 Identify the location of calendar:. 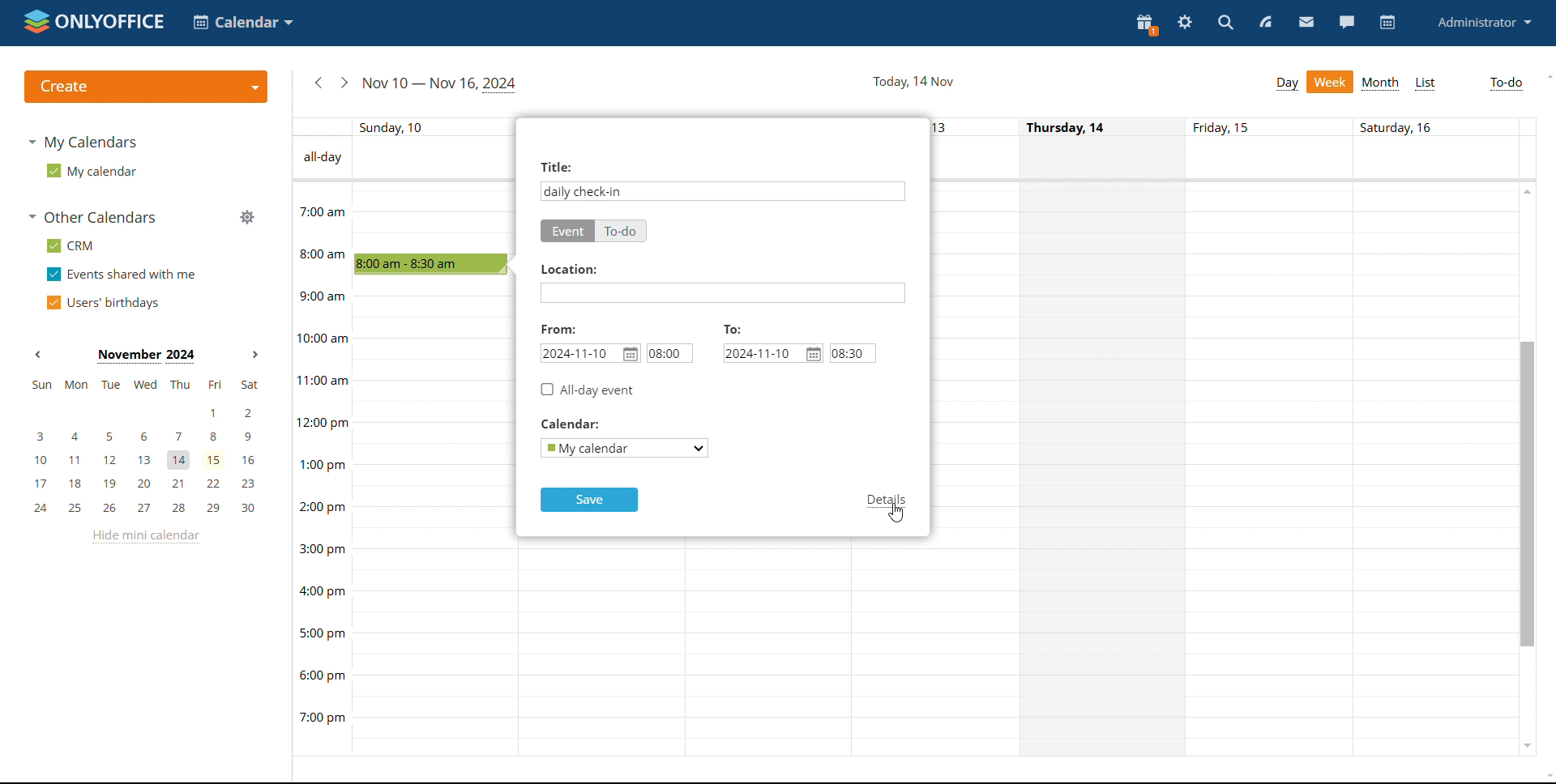
(590, 424).